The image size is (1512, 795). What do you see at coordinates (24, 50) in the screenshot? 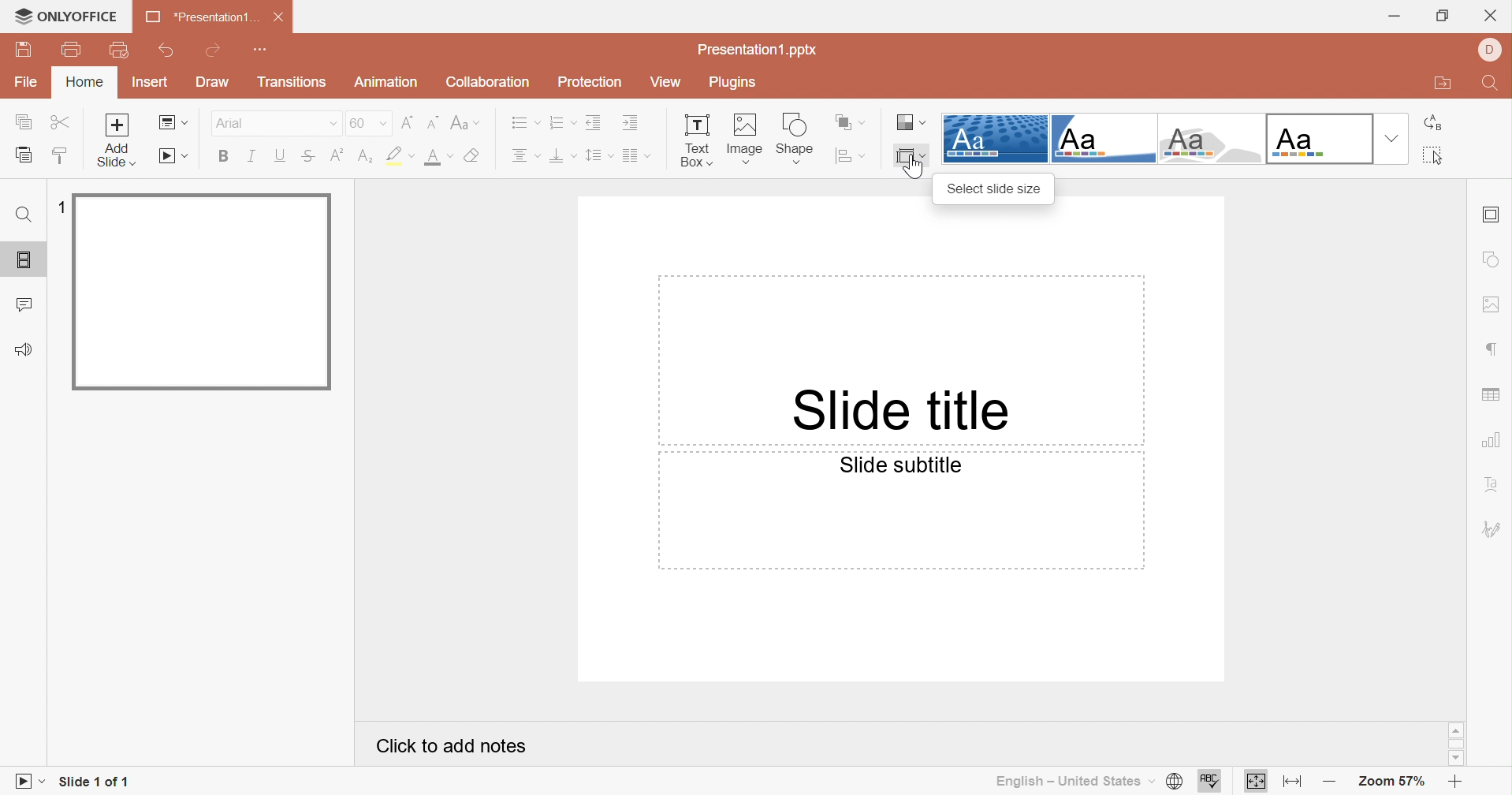
I see `Save` at bounding box center [24, 50].